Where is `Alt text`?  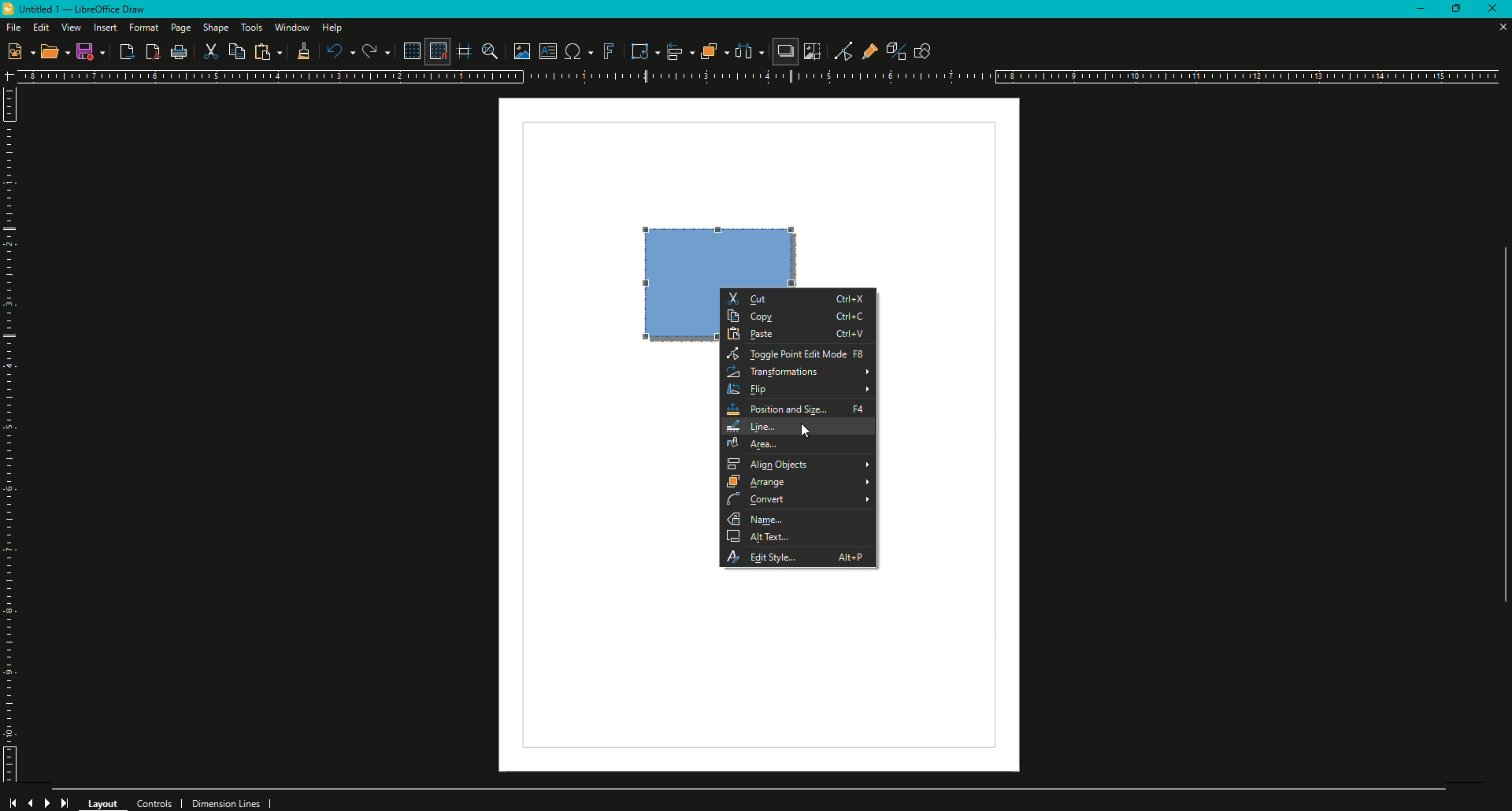 Alt text is located at coordinates (799, 538).